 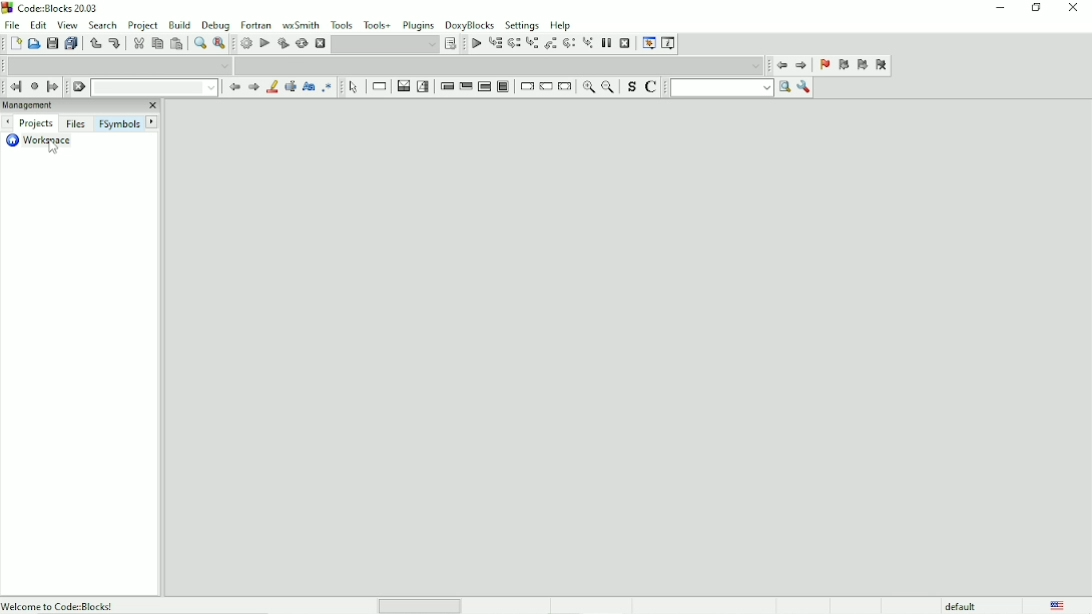 I want to click on Build and run, so click(x=282, y=43).